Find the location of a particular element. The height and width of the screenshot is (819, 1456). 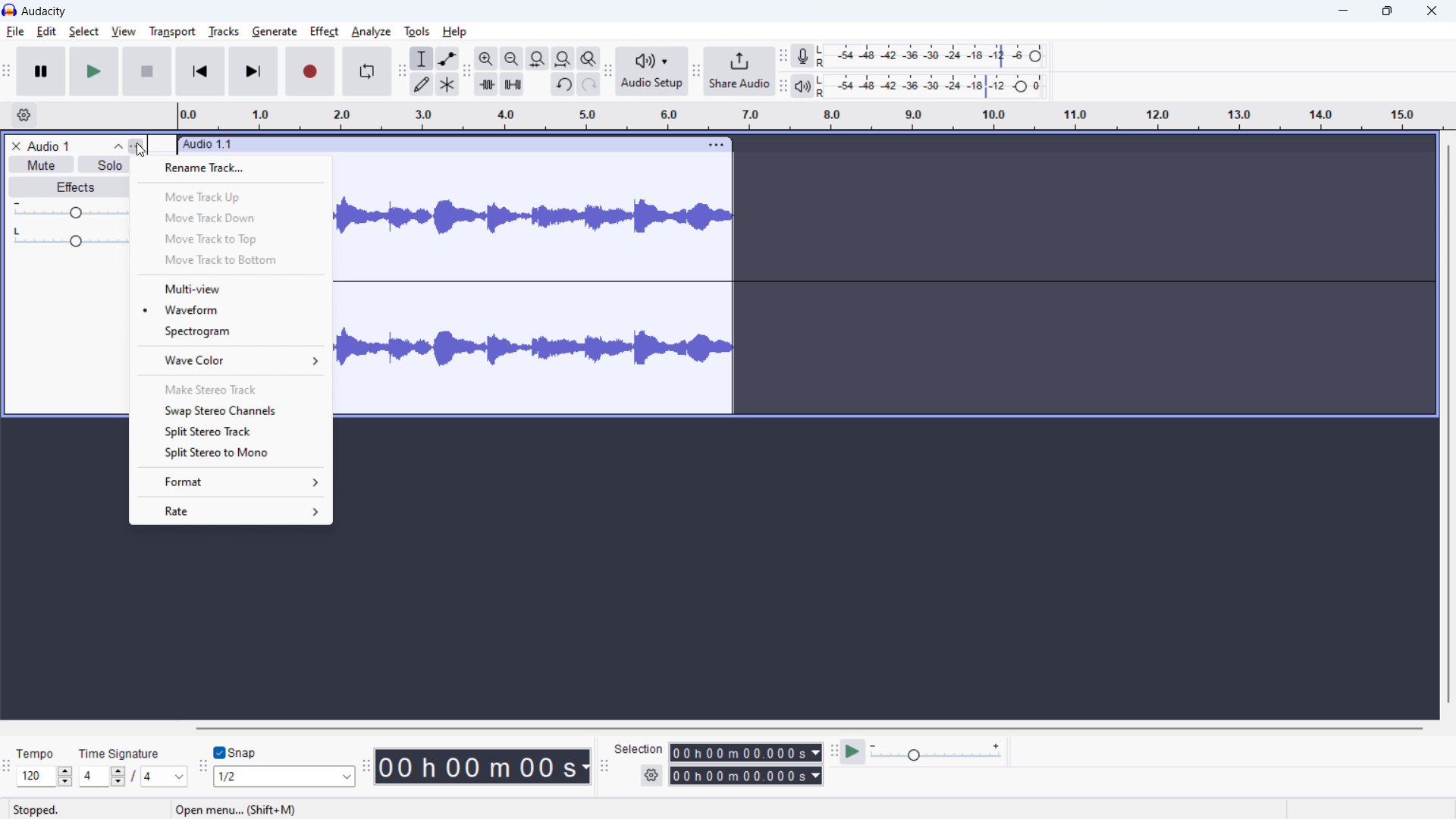

mute is located at coordinates (40, 165).